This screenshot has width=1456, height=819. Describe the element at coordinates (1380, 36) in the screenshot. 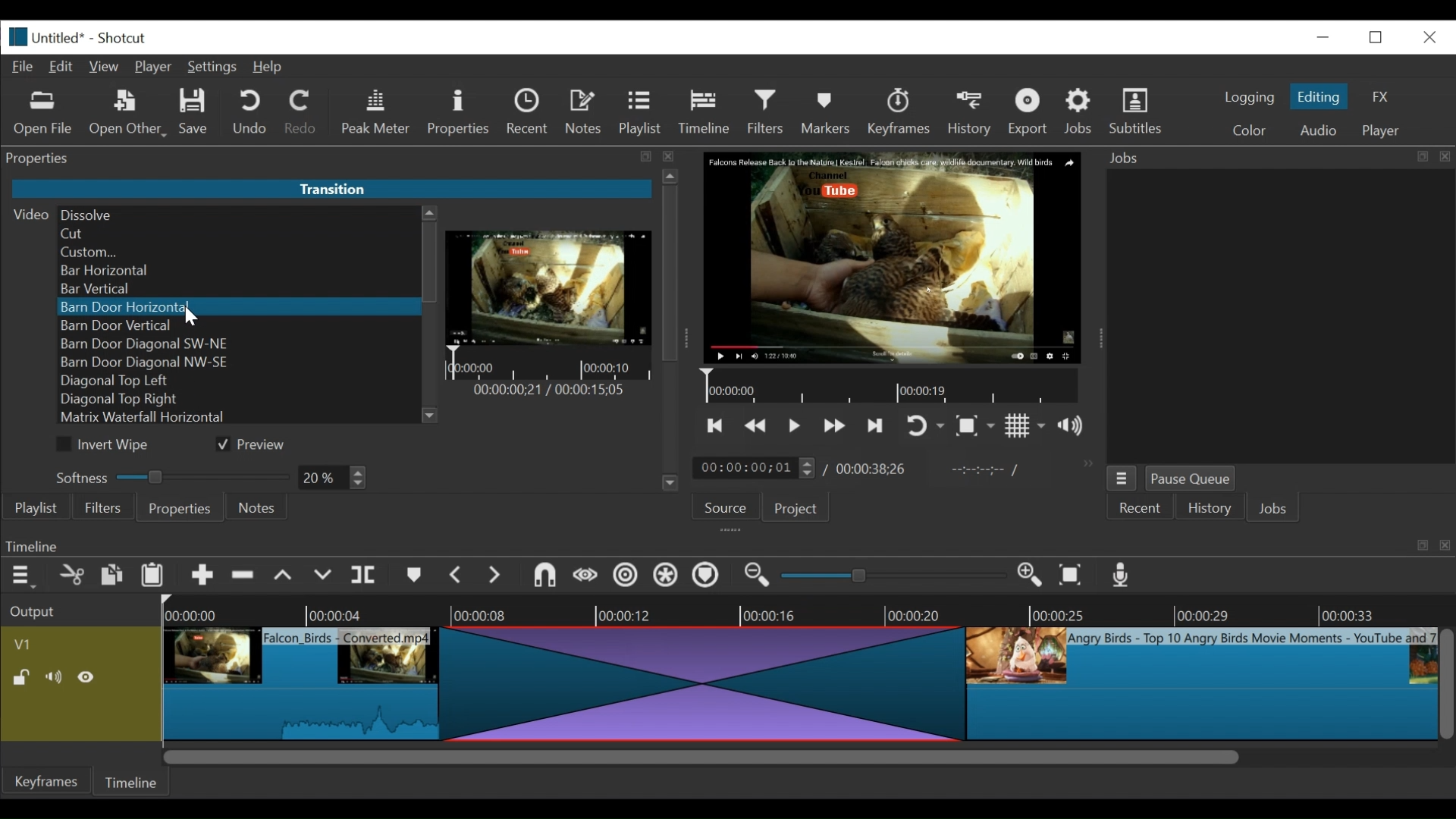

I see `restore` at that location.